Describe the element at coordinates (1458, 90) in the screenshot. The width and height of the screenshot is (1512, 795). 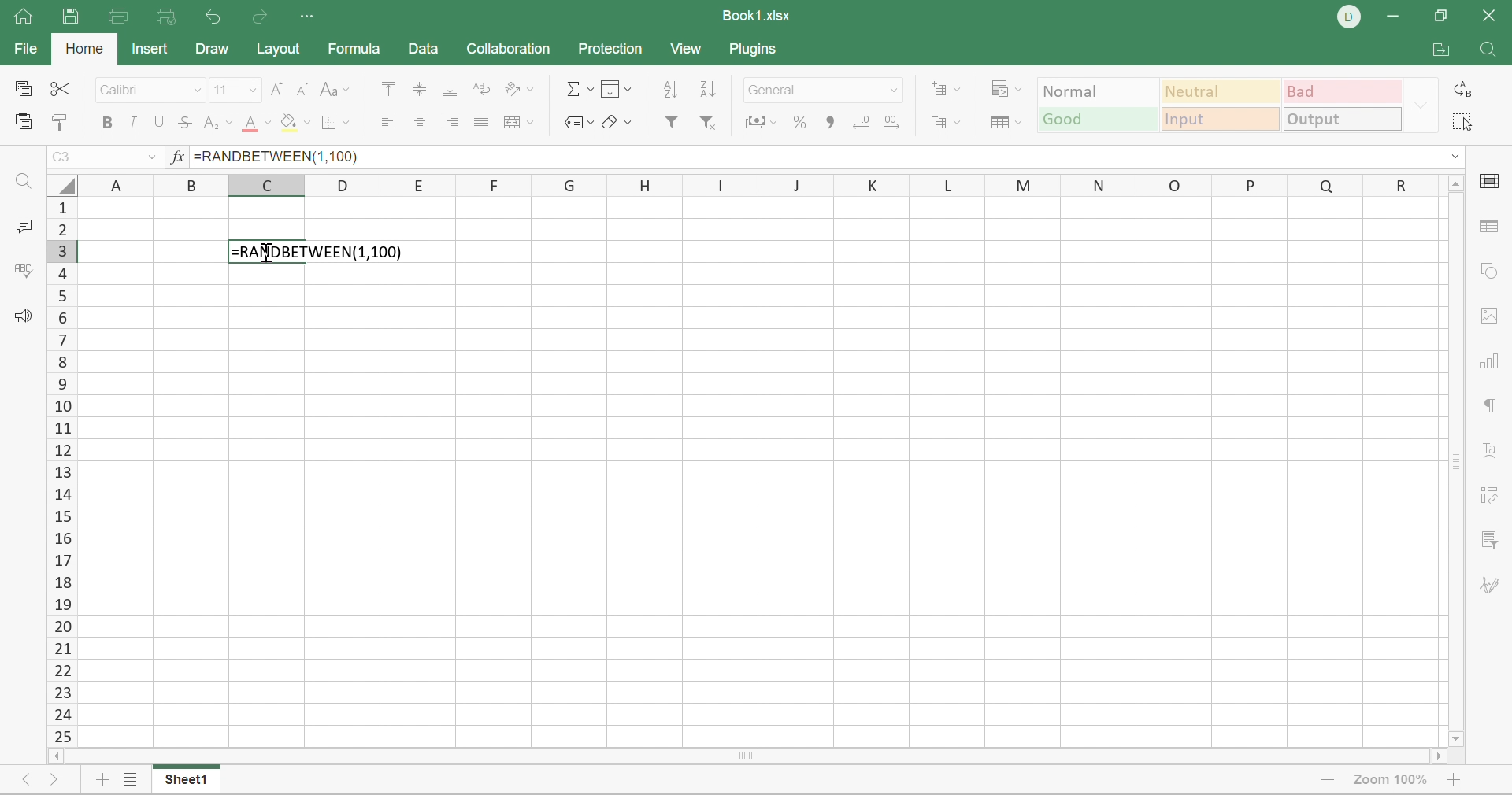
I see `Replace` at that location.